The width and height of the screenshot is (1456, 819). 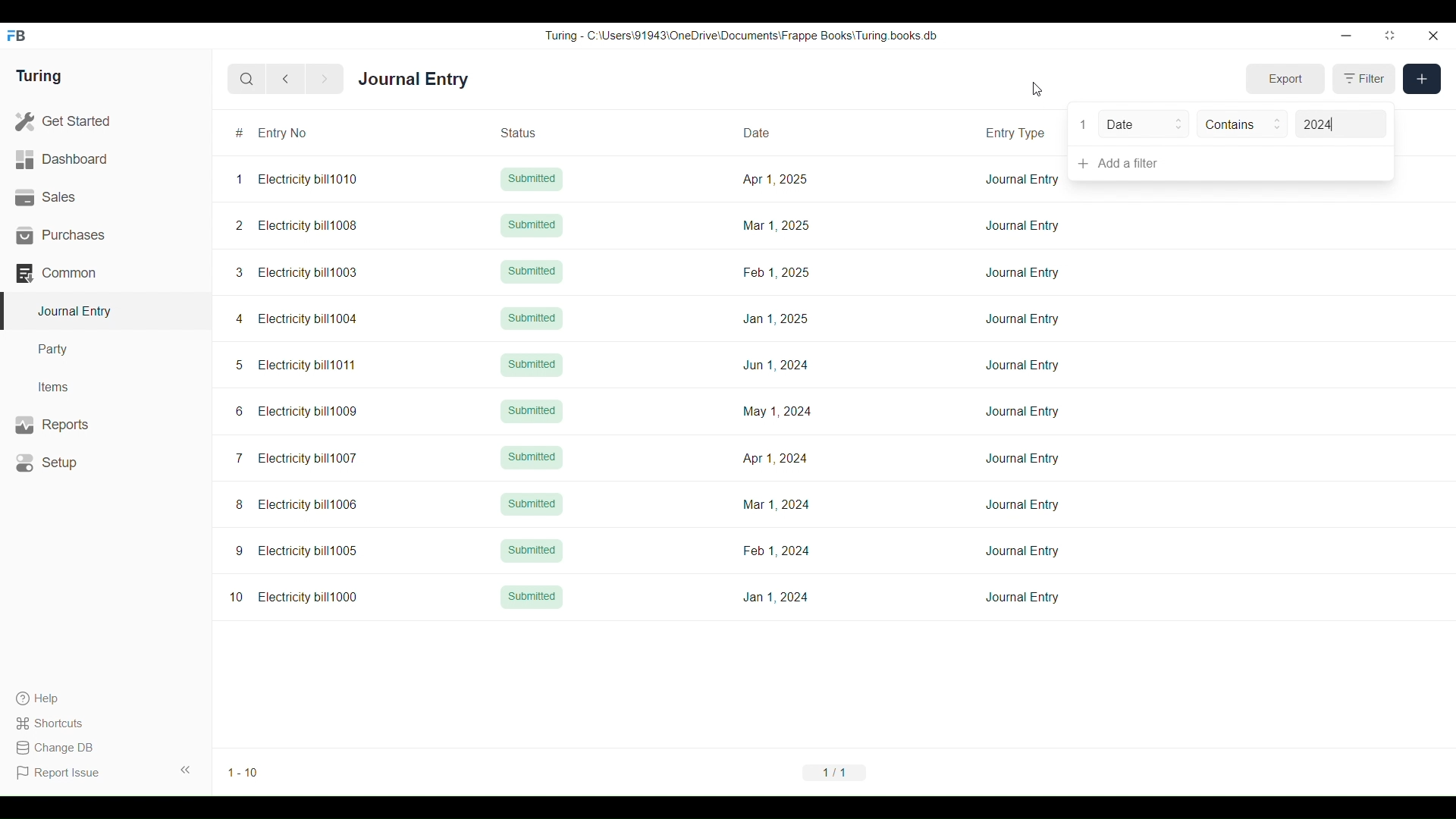 What do you see at coordinates (532, 457) in the screenshot?
I see `Submitted` at bounding box center [532, 457].